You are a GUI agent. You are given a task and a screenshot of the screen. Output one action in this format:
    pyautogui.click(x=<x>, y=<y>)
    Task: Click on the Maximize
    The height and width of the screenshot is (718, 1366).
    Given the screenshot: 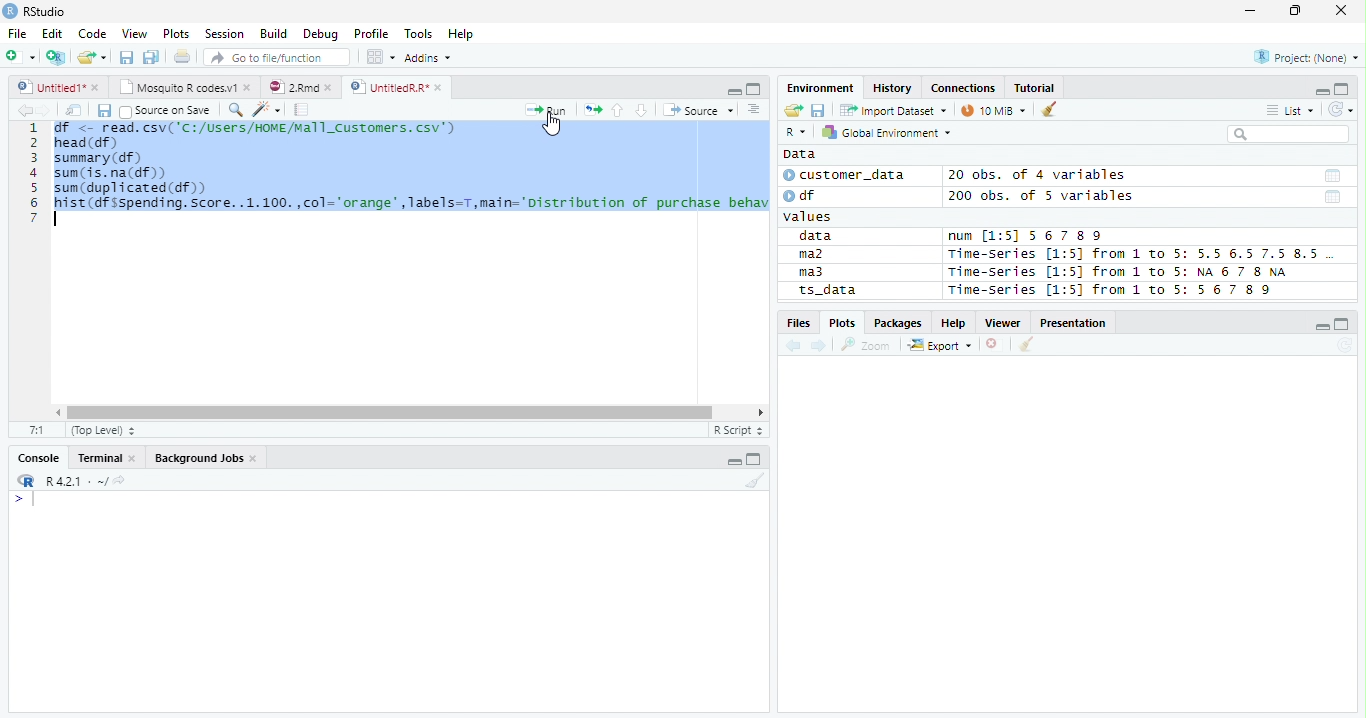 What is the action you would take?
    pyautogui.click(x=756, y=460)
    